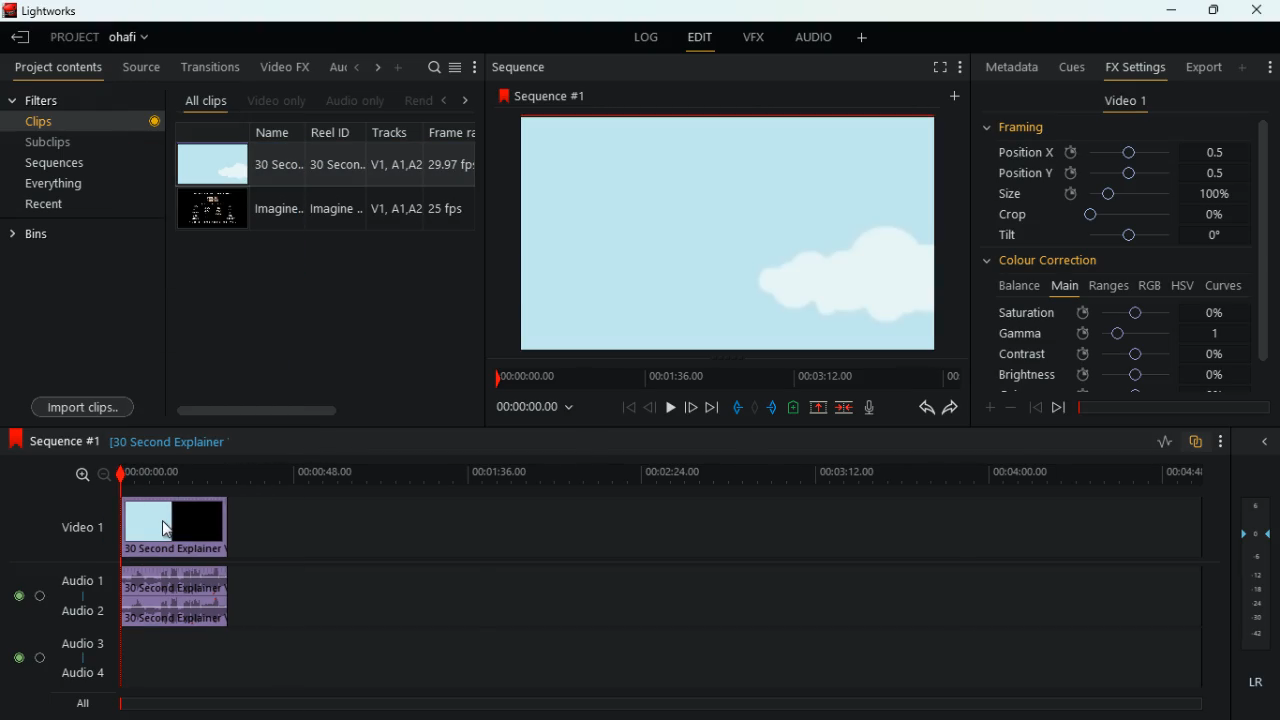 This screenshot has width=1280, height=720. Describe the element at coordinates (214, 164) in the screenshot. I see `video` at that location.